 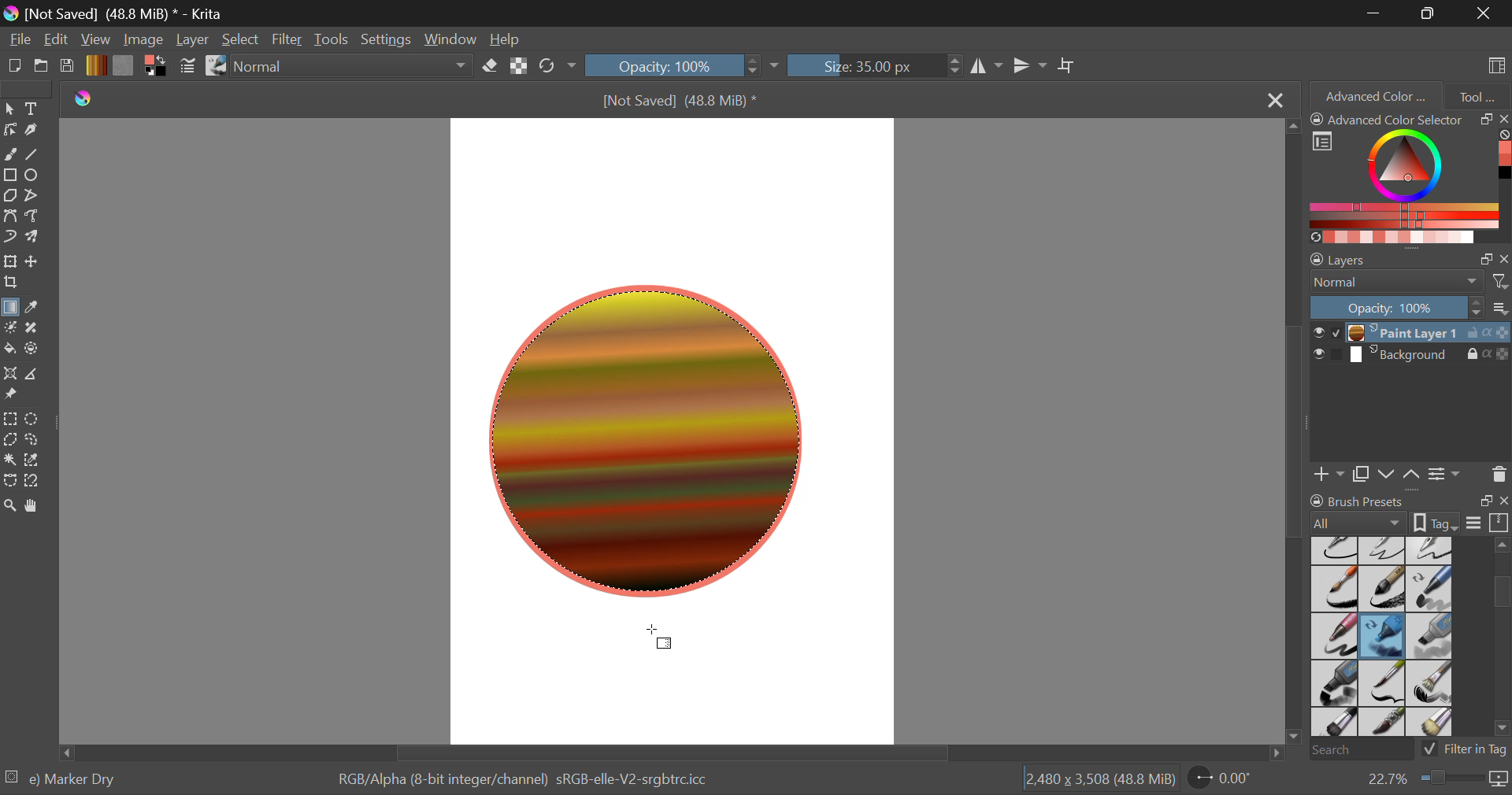 I want to click on Move a layer, so click(x=34, y=261).